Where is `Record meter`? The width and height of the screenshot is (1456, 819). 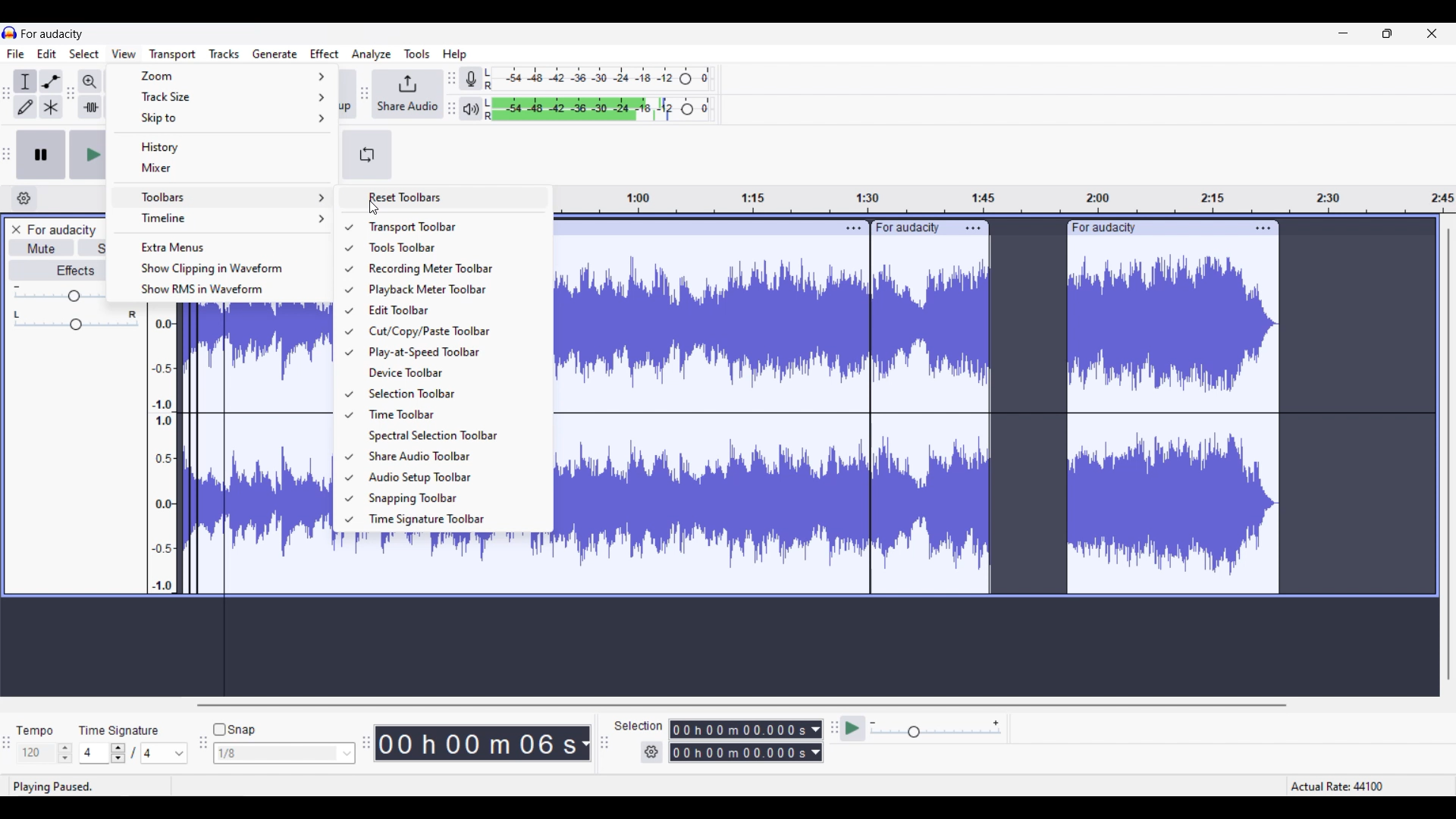
Record meter is located at coordinates (471, 78).